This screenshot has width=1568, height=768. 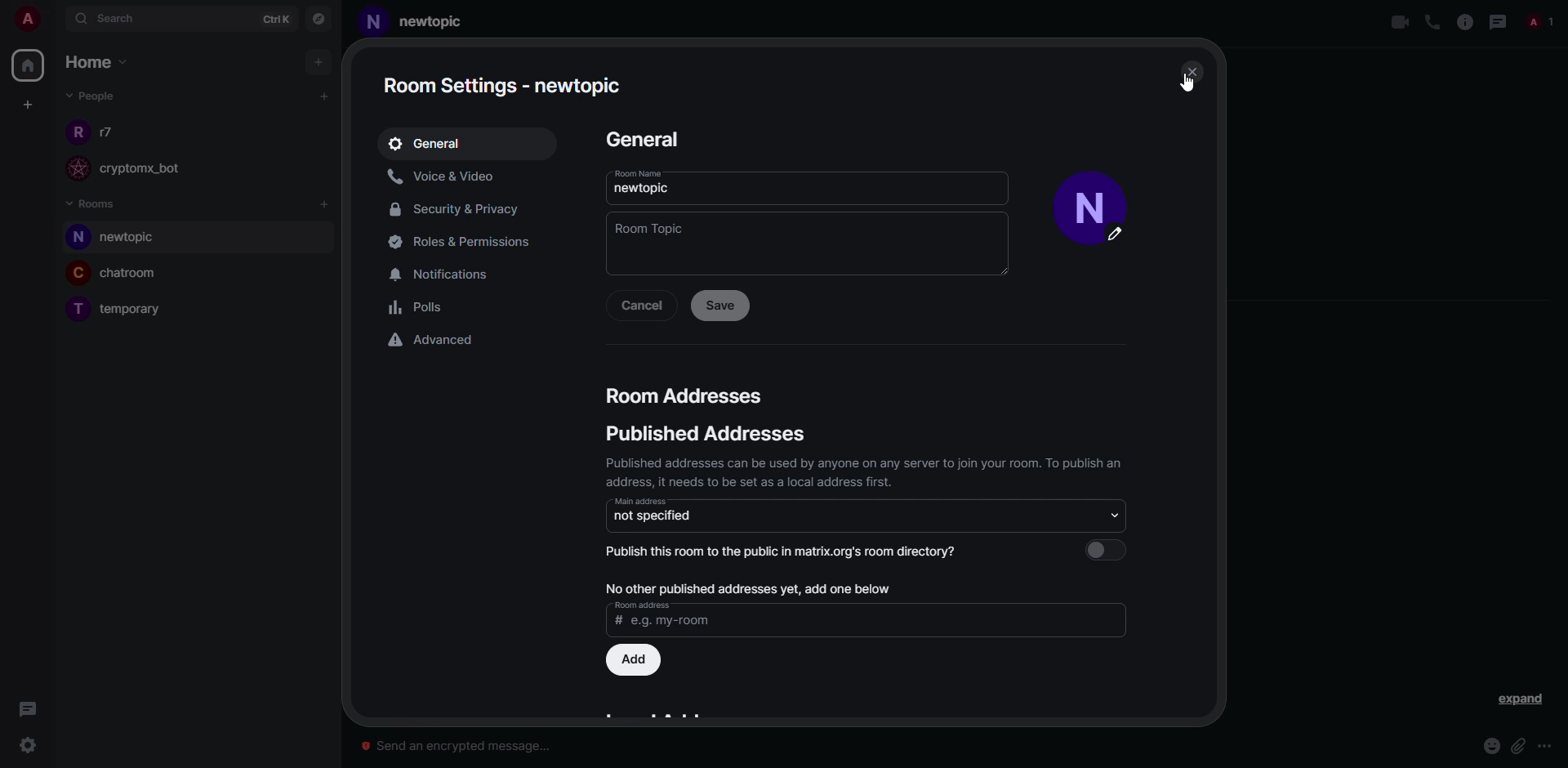 What do you see at coordinates (445, 176) in the screenshot?
I see `voice video` at bounding box center [445, 176].